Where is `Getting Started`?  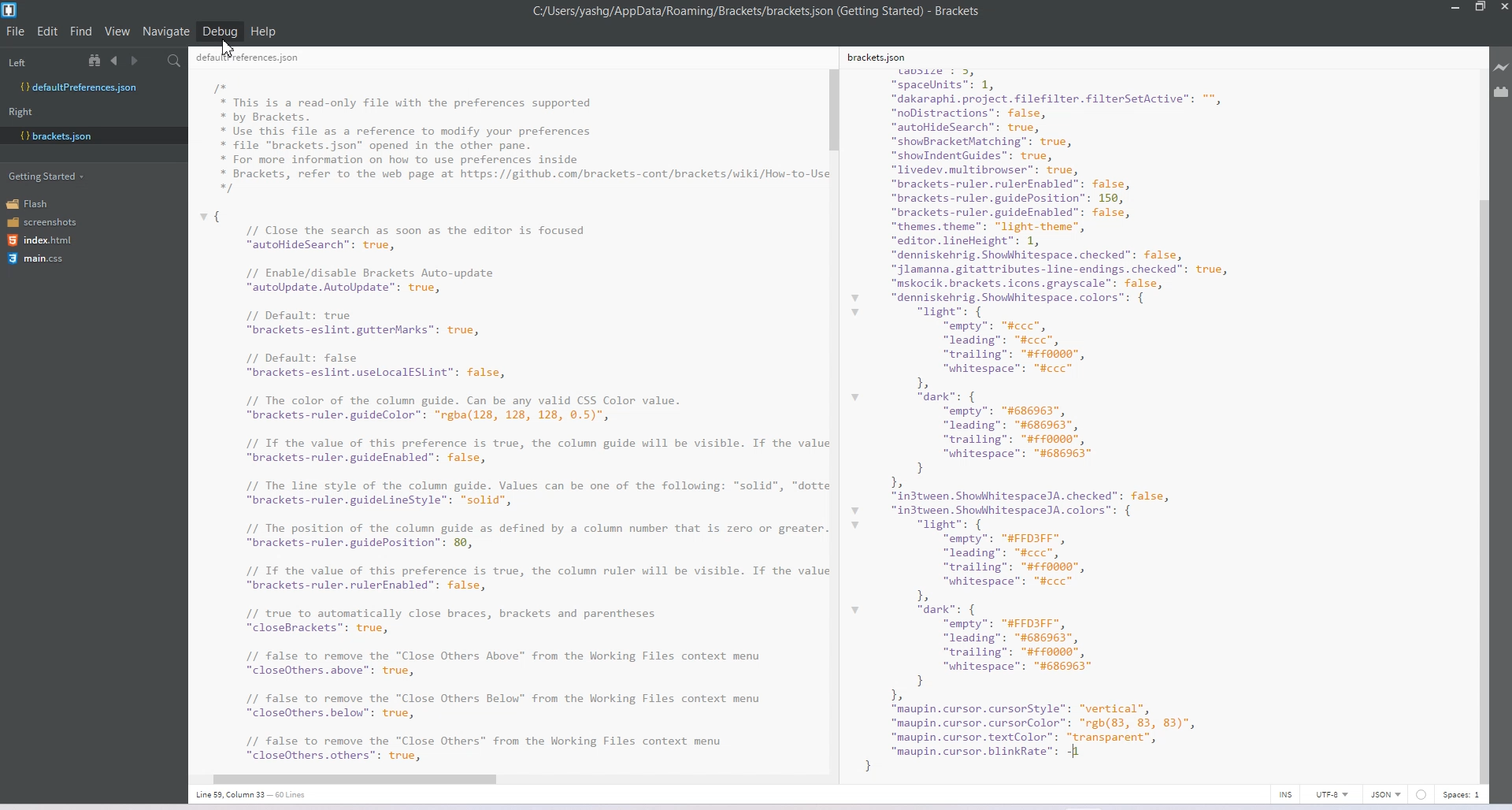
Getting Started is located at coordinates (48, 175).